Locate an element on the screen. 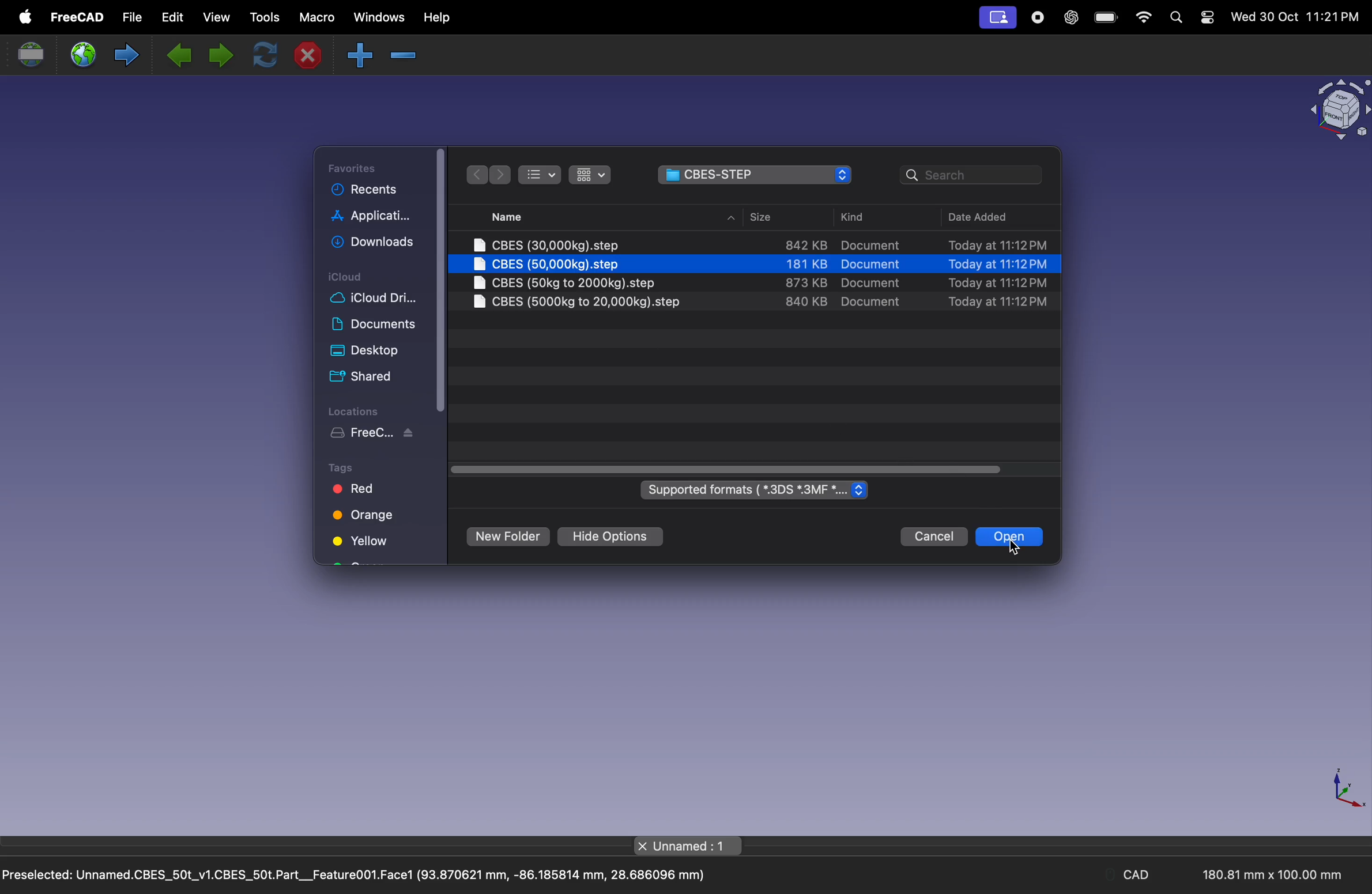 The height and width of the screenshot is (894, 1372). Wed 30 Oct 11:21PM is located at coordinates (1295, 17).